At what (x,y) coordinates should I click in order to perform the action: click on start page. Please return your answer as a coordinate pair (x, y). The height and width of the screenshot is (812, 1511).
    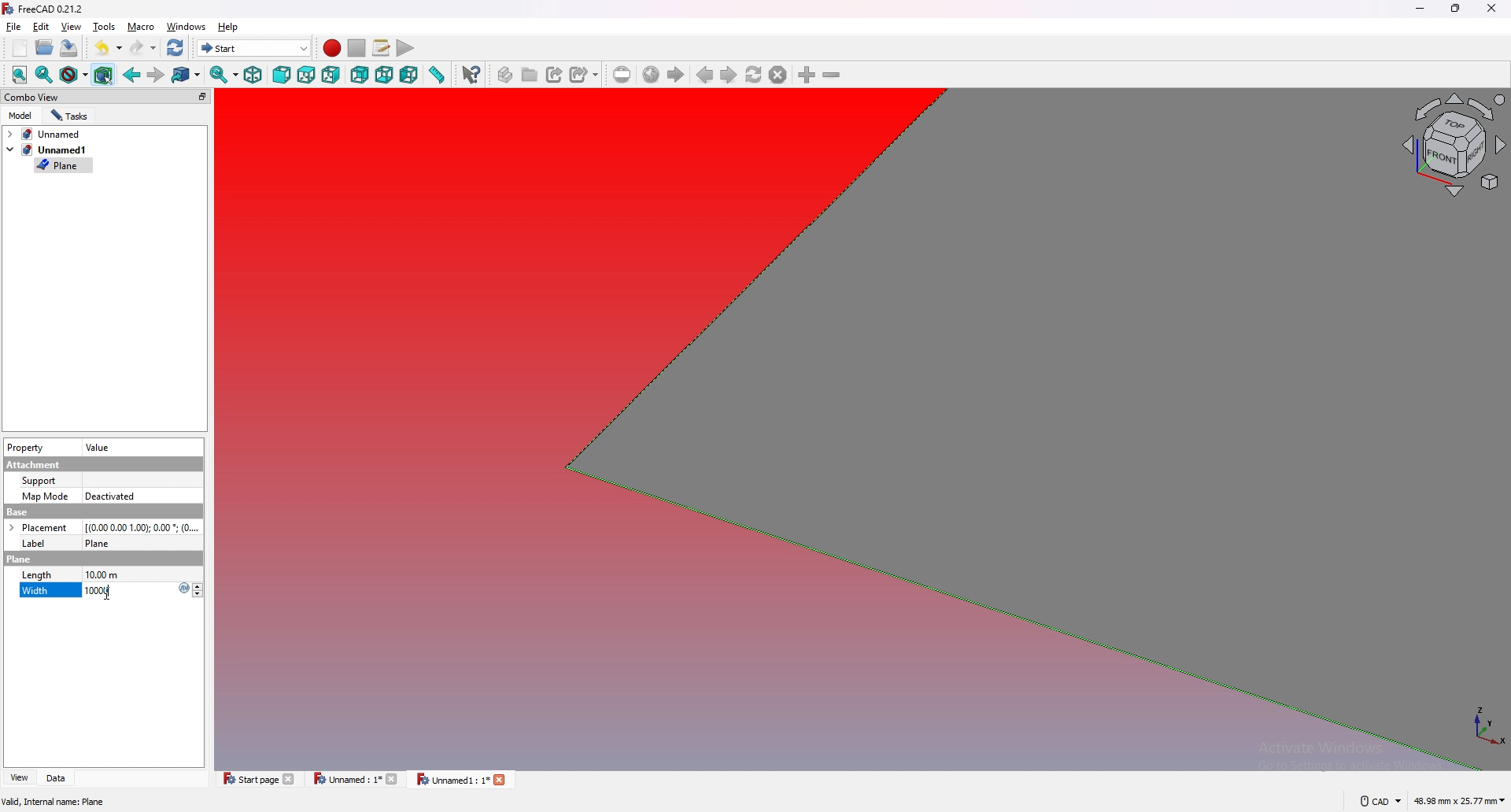
    Looking at the image, I should click on (675, 75).